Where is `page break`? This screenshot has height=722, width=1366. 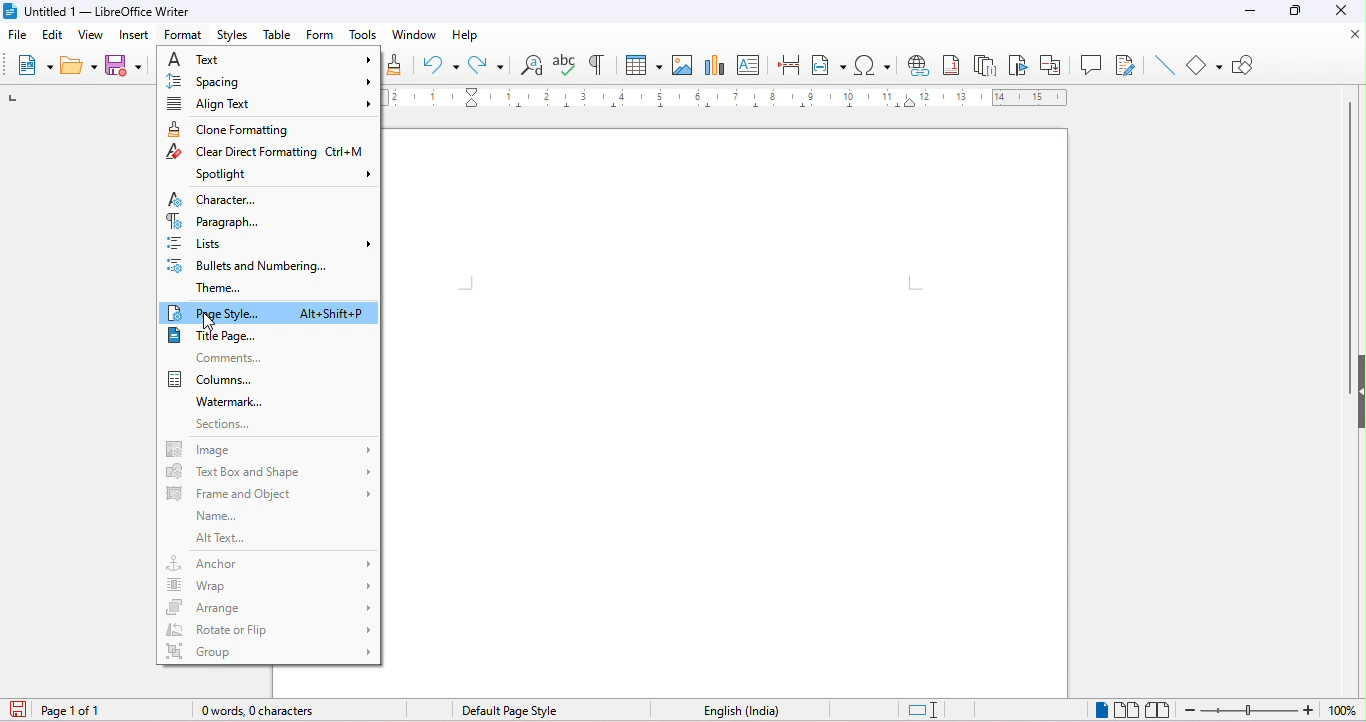 page break is located at coordinates (788, 62).